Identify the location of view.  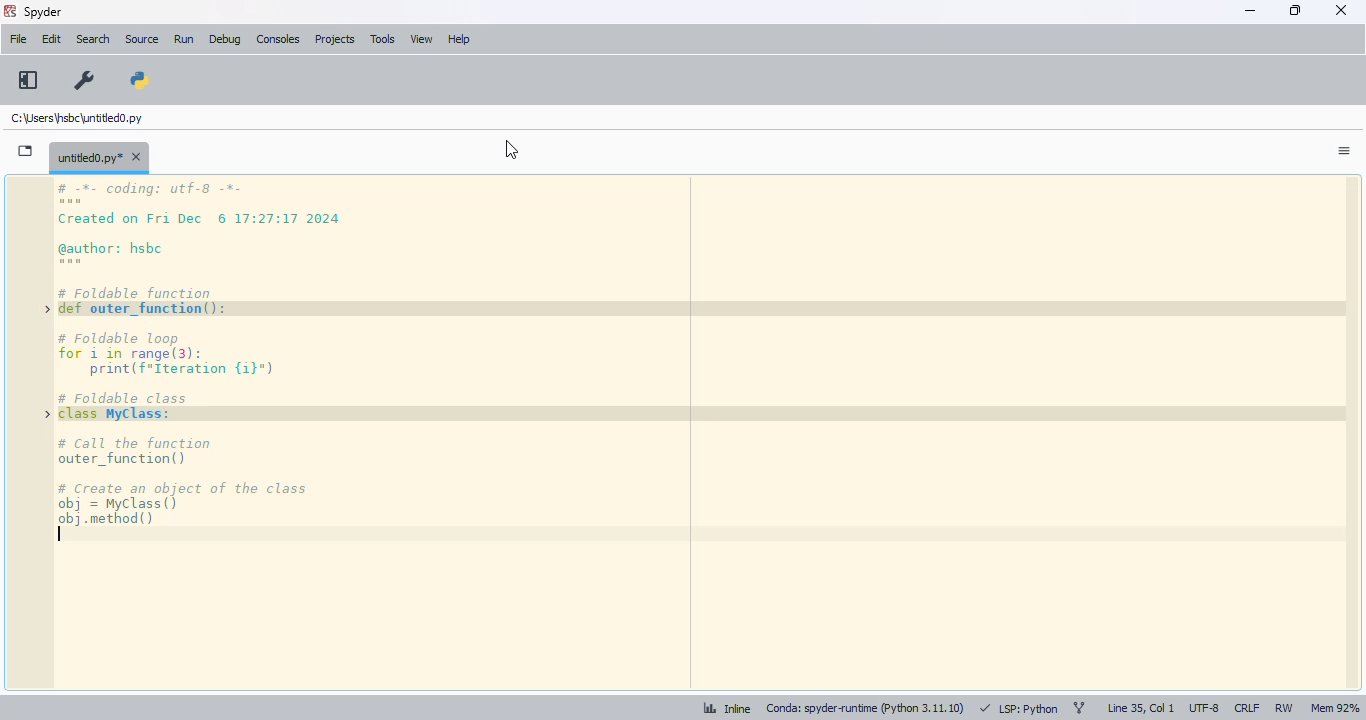
(422, 39).